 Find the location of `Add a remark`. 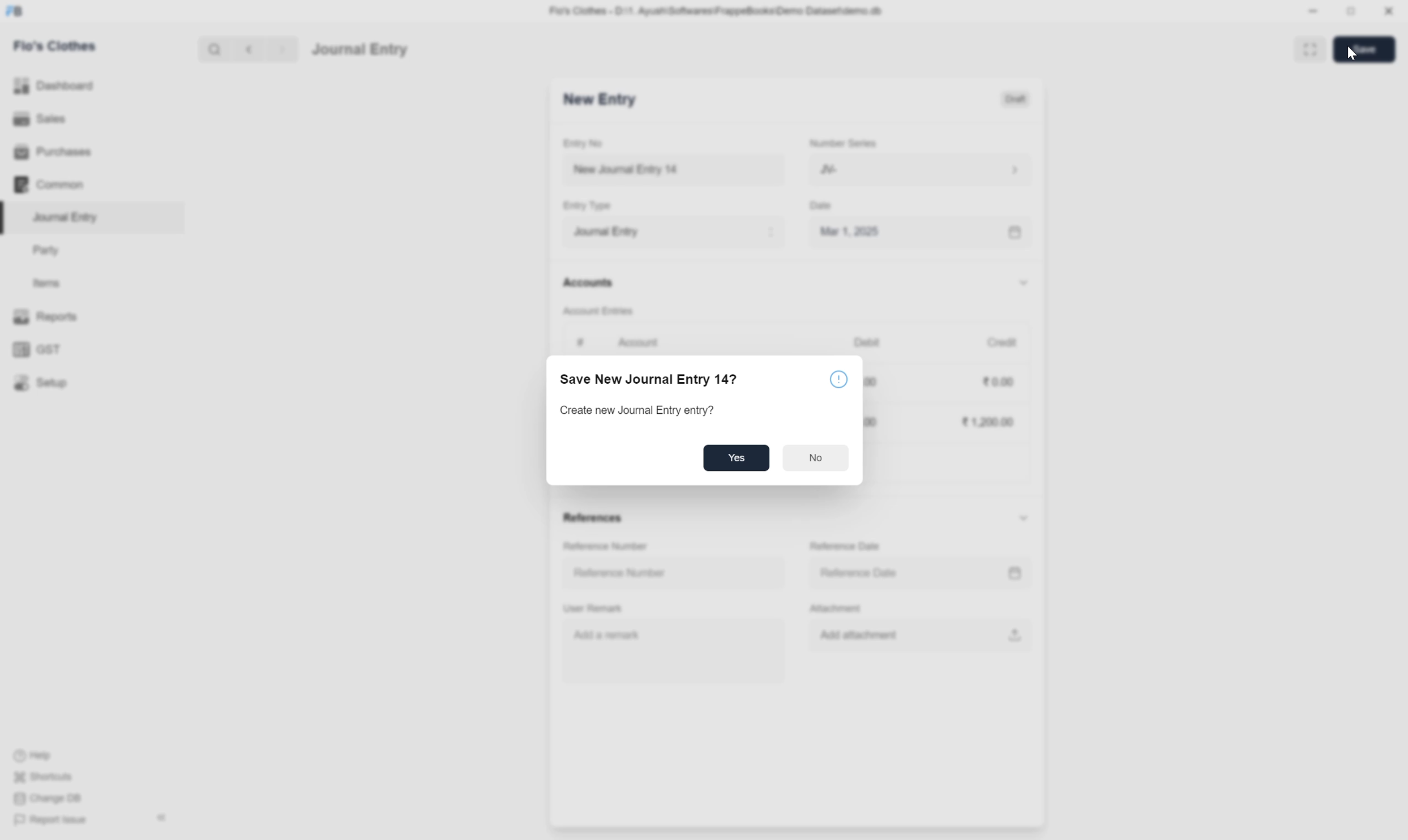

Add a remark is located at coordinates (609, 634).